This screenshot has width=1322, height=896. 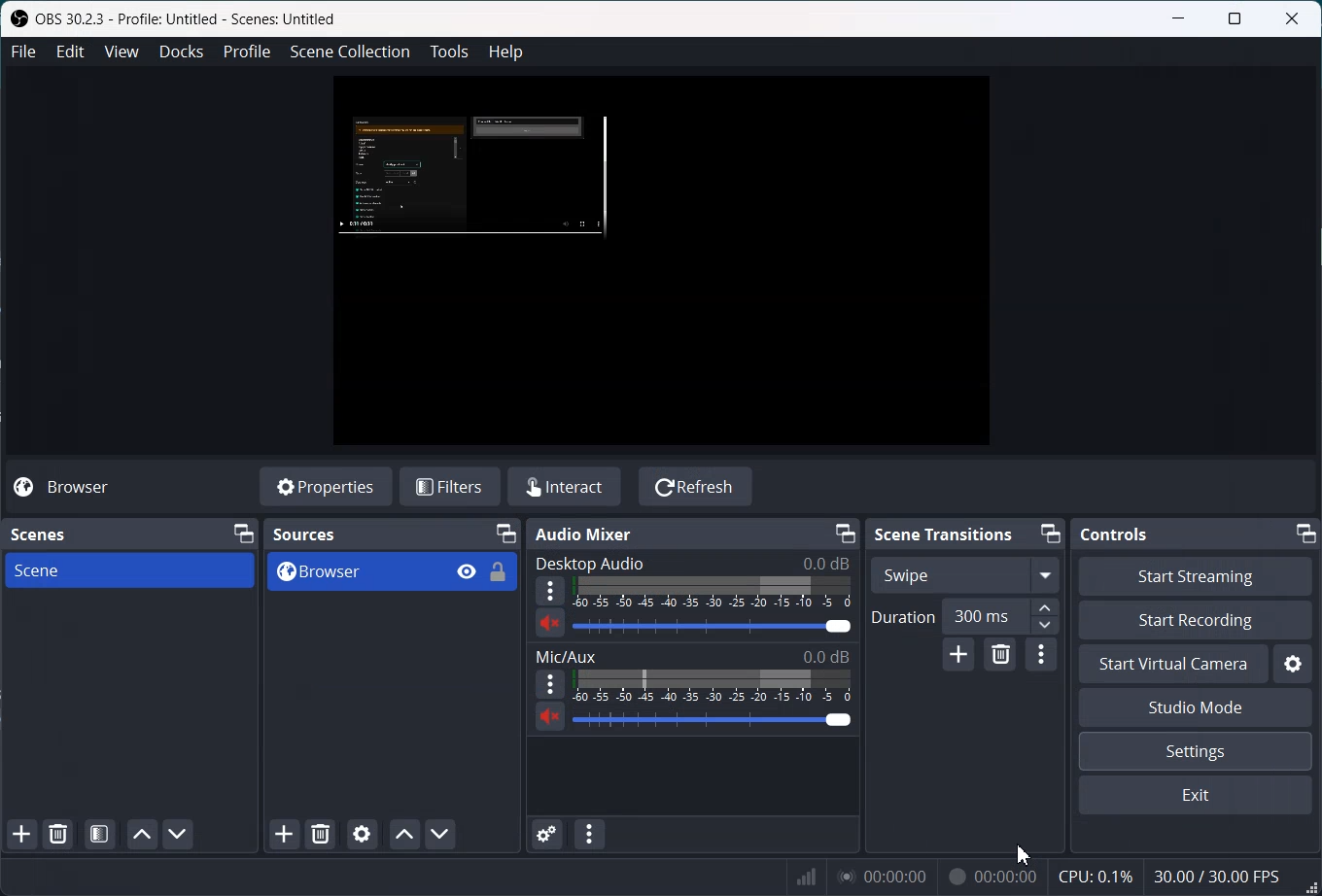 What do you see at coordinates (583, 534) in the screenshot?
I see `Audio Mixer` at bounding box center [583, 534].